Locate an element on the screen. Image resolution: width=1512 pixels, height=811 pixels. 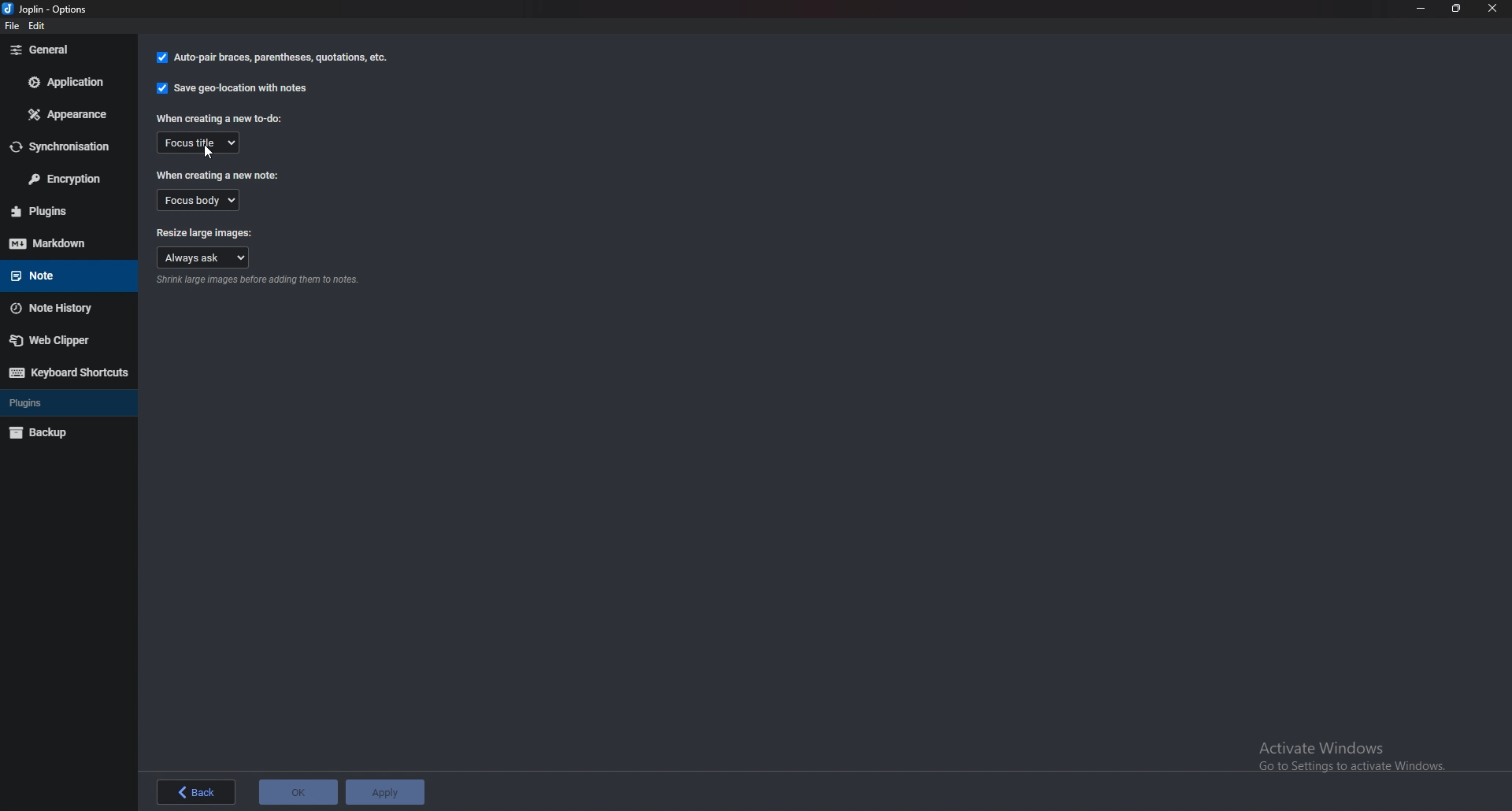
Application is located at coordinates (68, 82).